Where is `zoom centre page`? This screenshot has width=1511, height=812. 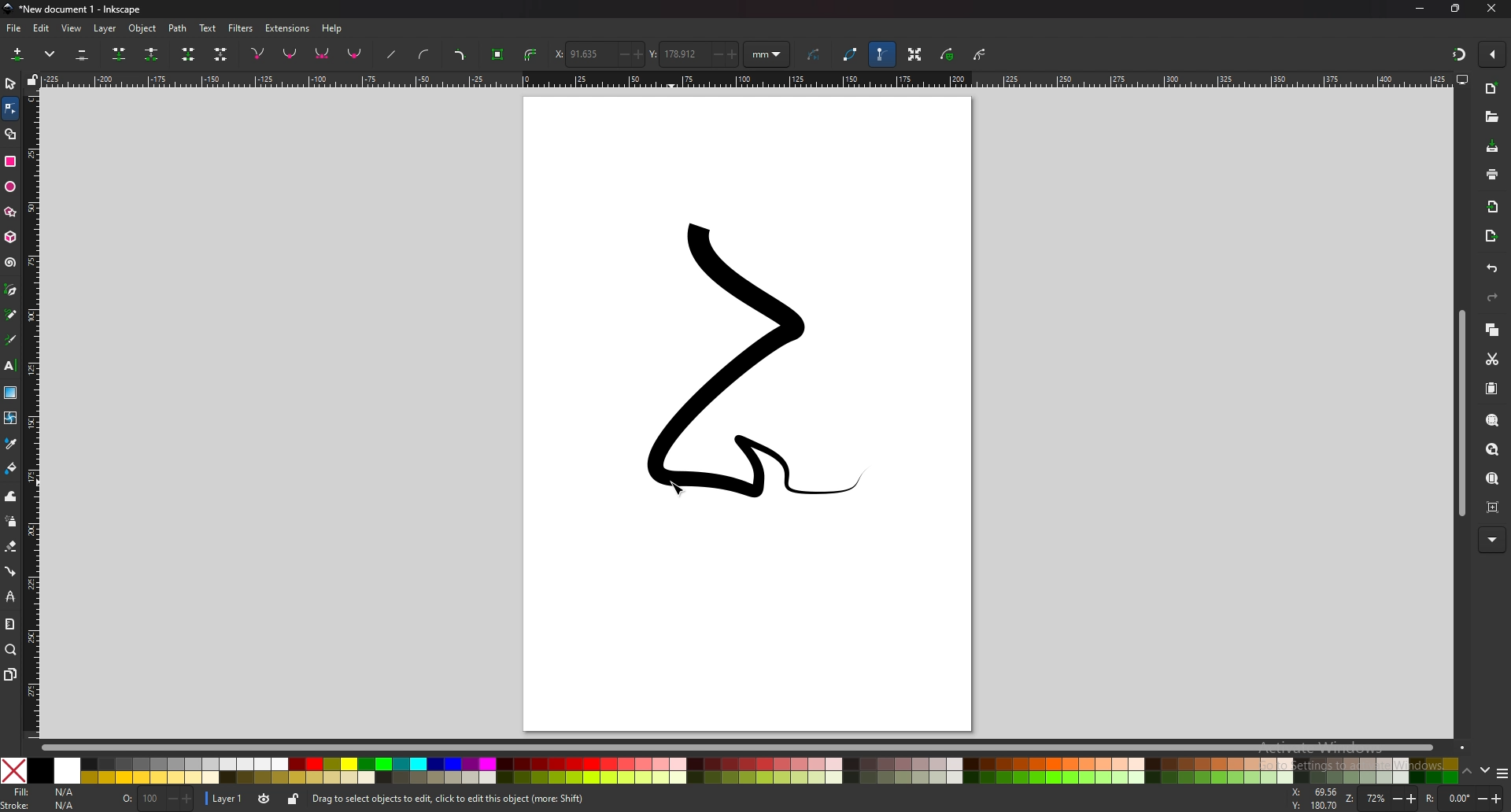
zoom centre page is located at coordinates (1493, 507).